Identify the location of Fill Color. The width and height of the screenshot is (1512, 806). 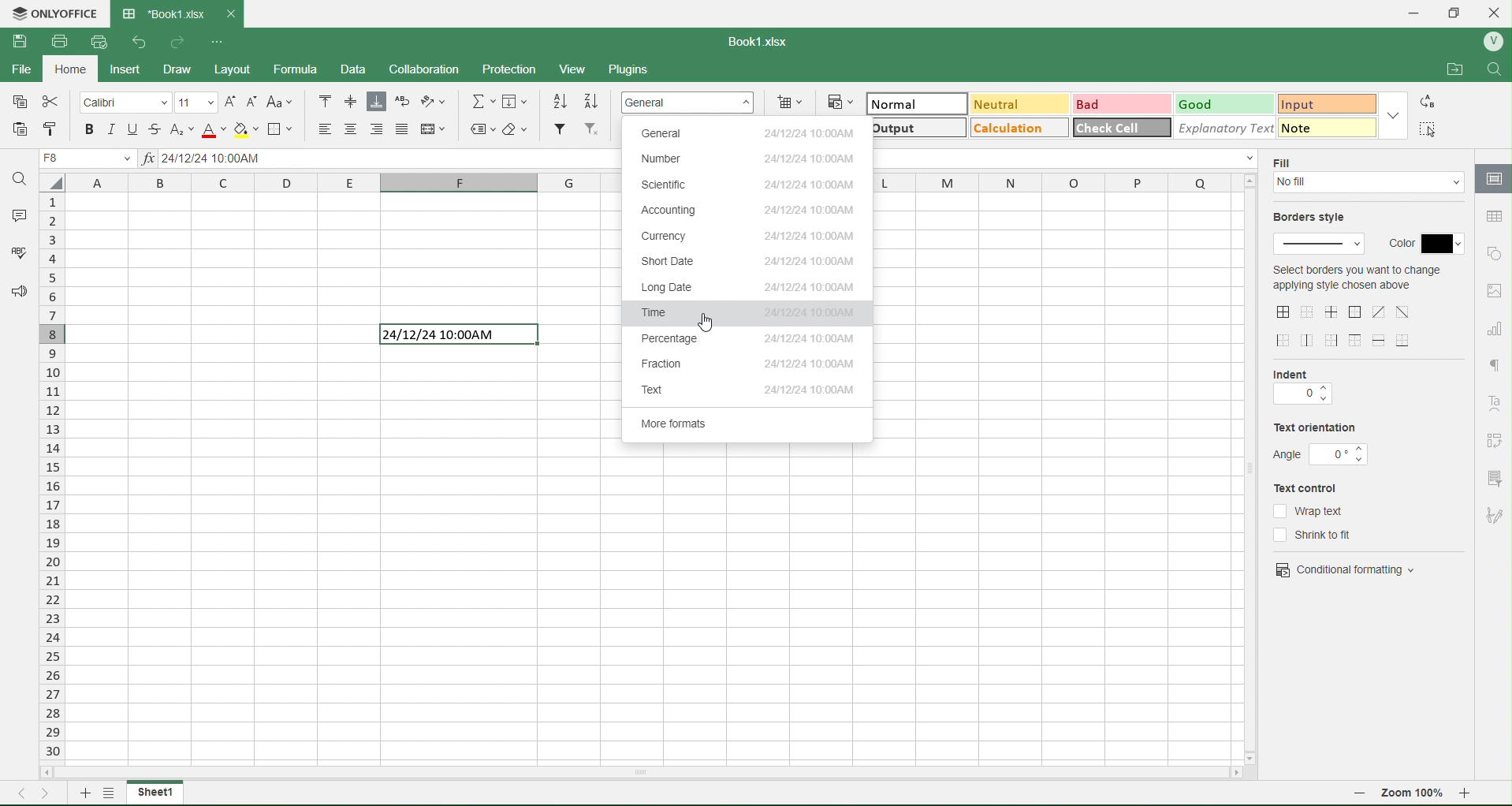
(245, 129).